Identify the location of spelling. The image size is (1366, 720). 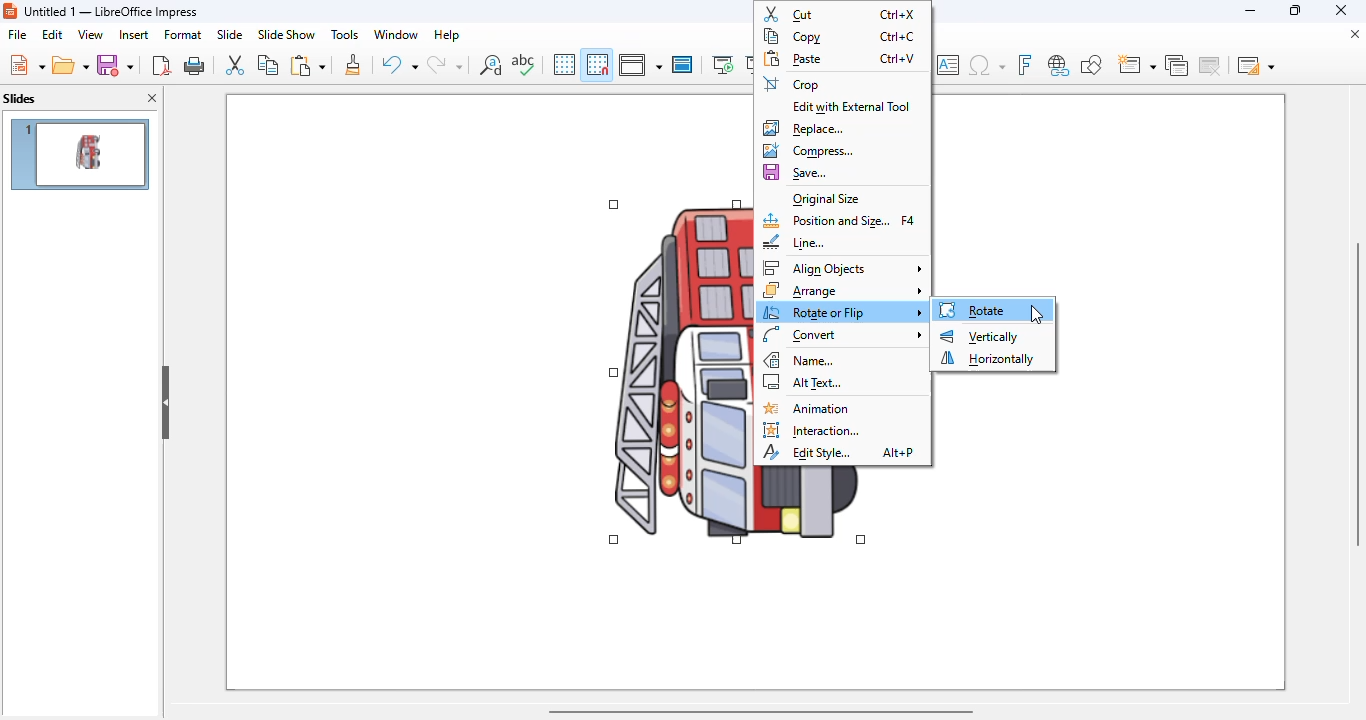
(524, 65).